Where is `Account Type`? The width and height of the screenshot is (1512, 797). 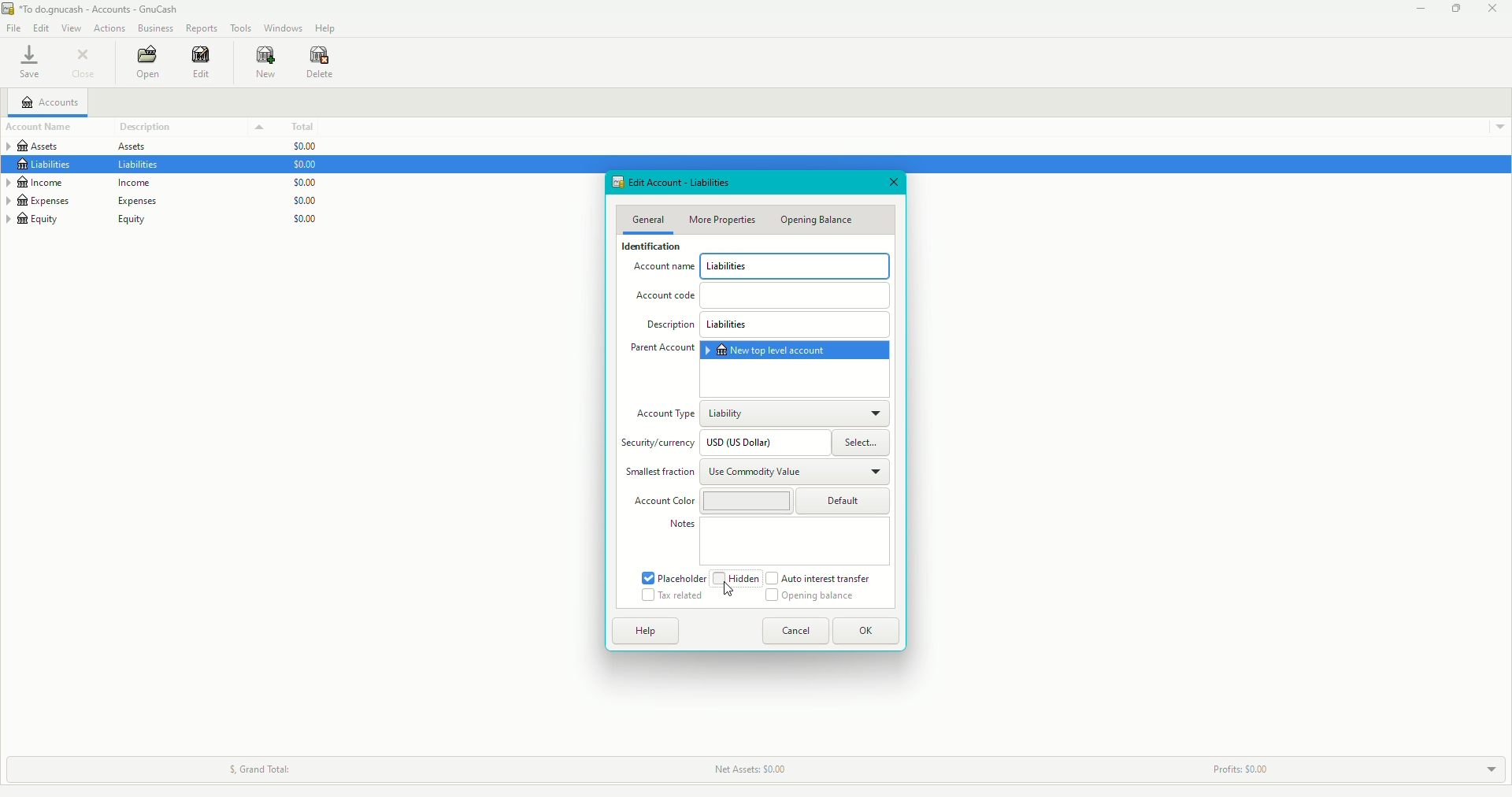 Account Type is located at coordinates (665, 417).